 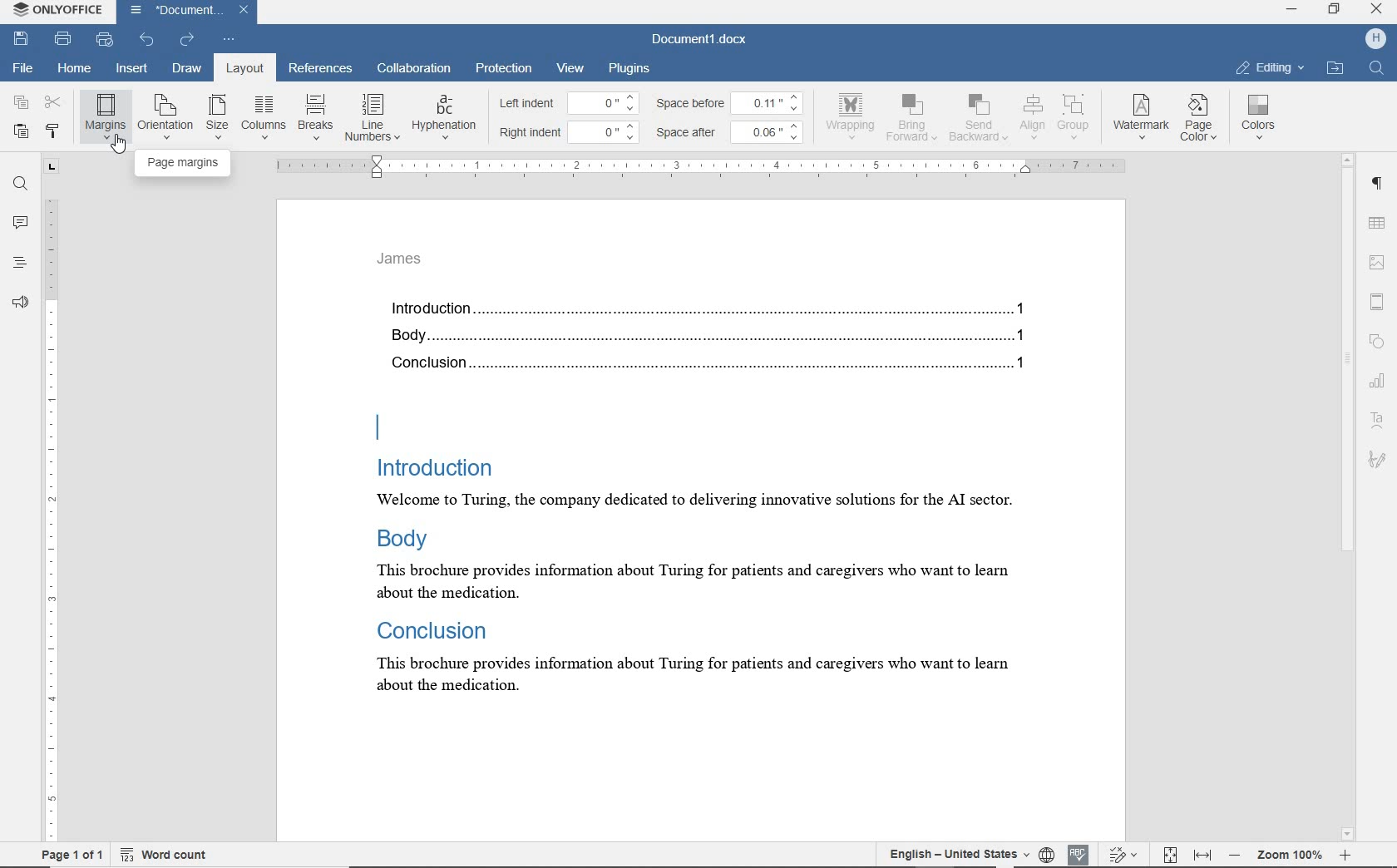 What do you see at coordinates (1376, 458) in the screenshot?
I see `signature` at bounding box center [1376, 458].